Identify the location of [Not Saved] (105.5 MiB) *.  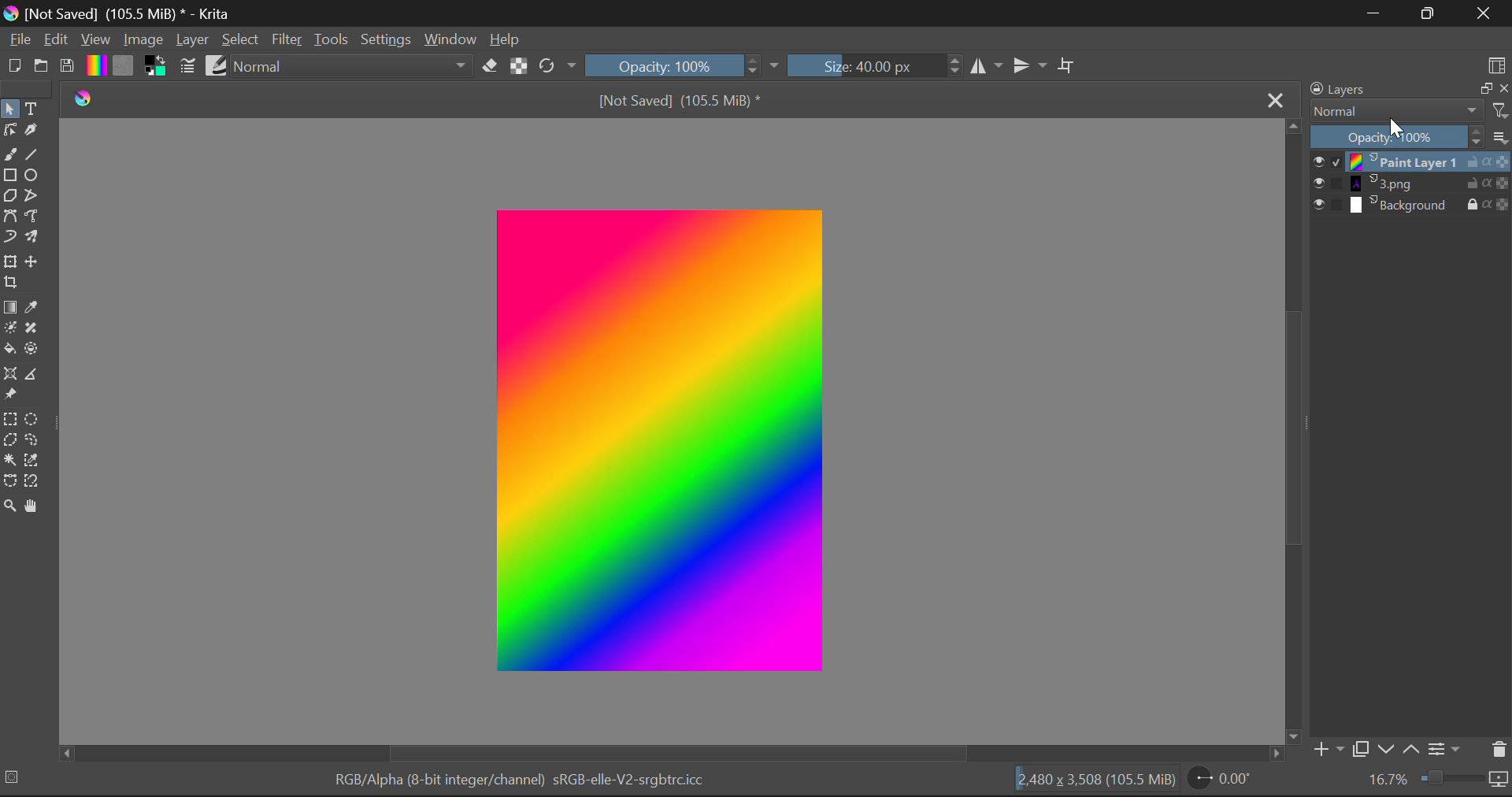
(679, 99).